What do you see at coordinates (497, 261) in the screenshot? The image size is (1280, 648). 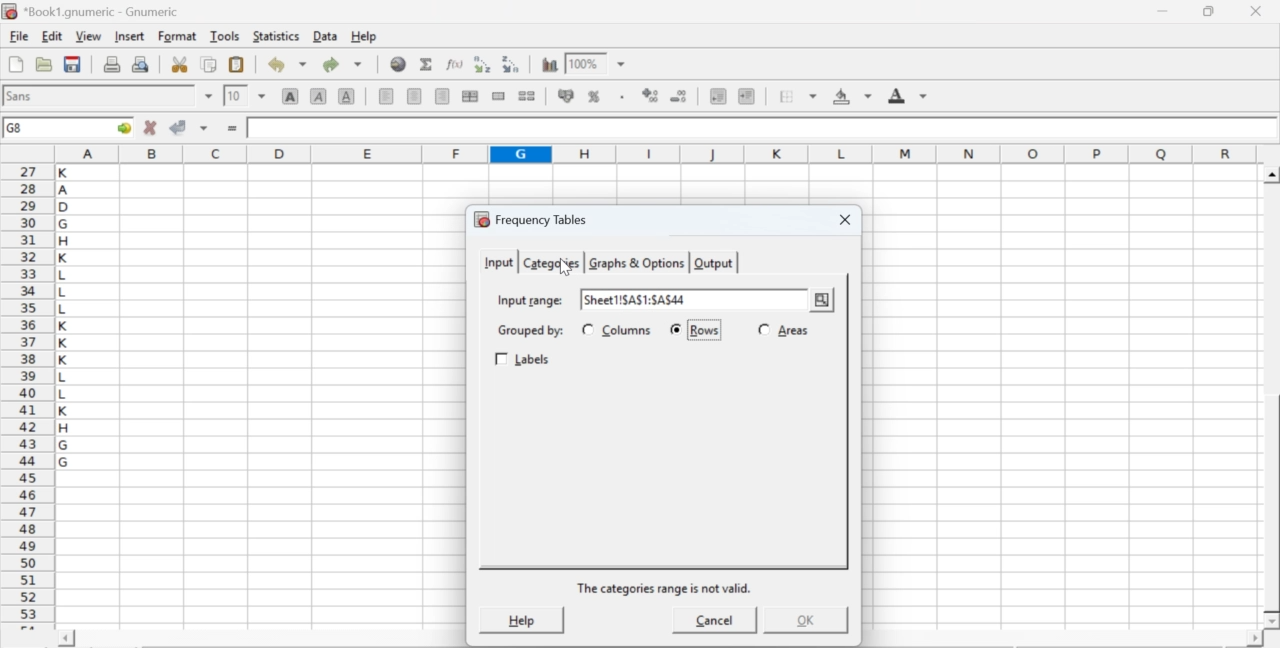 I see `input` at bounding box center [497, 261].